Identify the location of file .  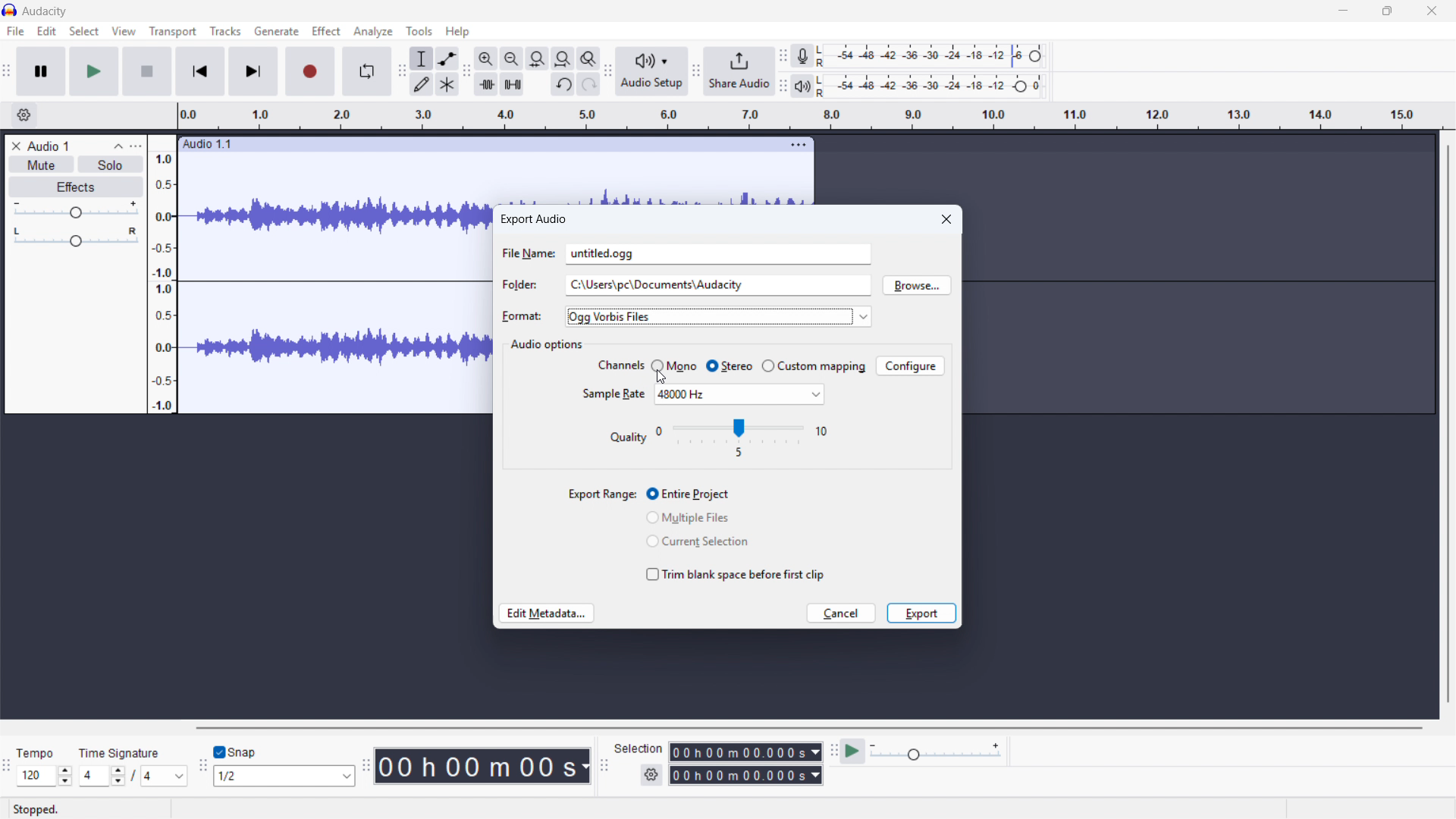
(15, 33).